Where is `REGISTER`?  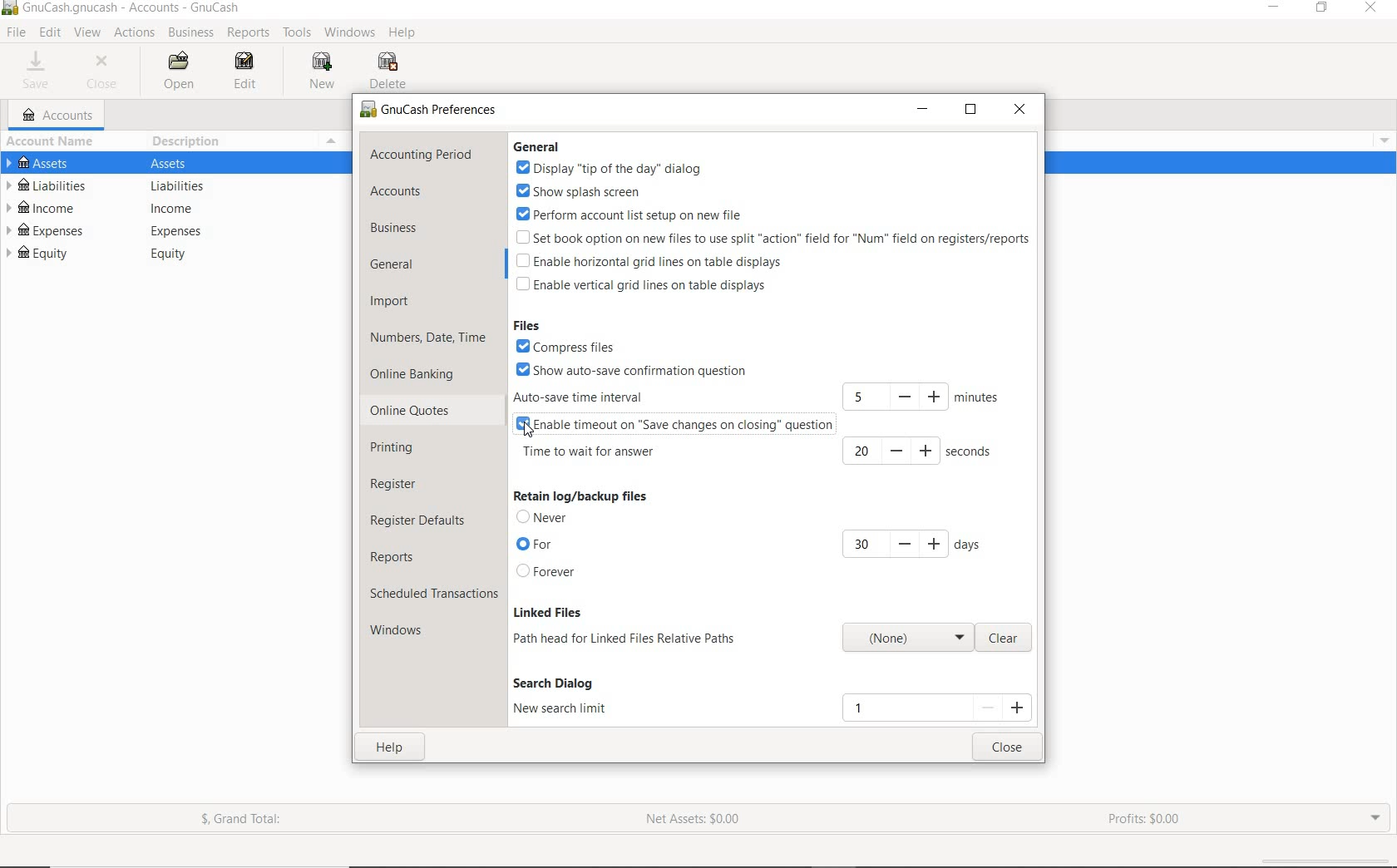
REGISTER is located at coordinates (400, 481).